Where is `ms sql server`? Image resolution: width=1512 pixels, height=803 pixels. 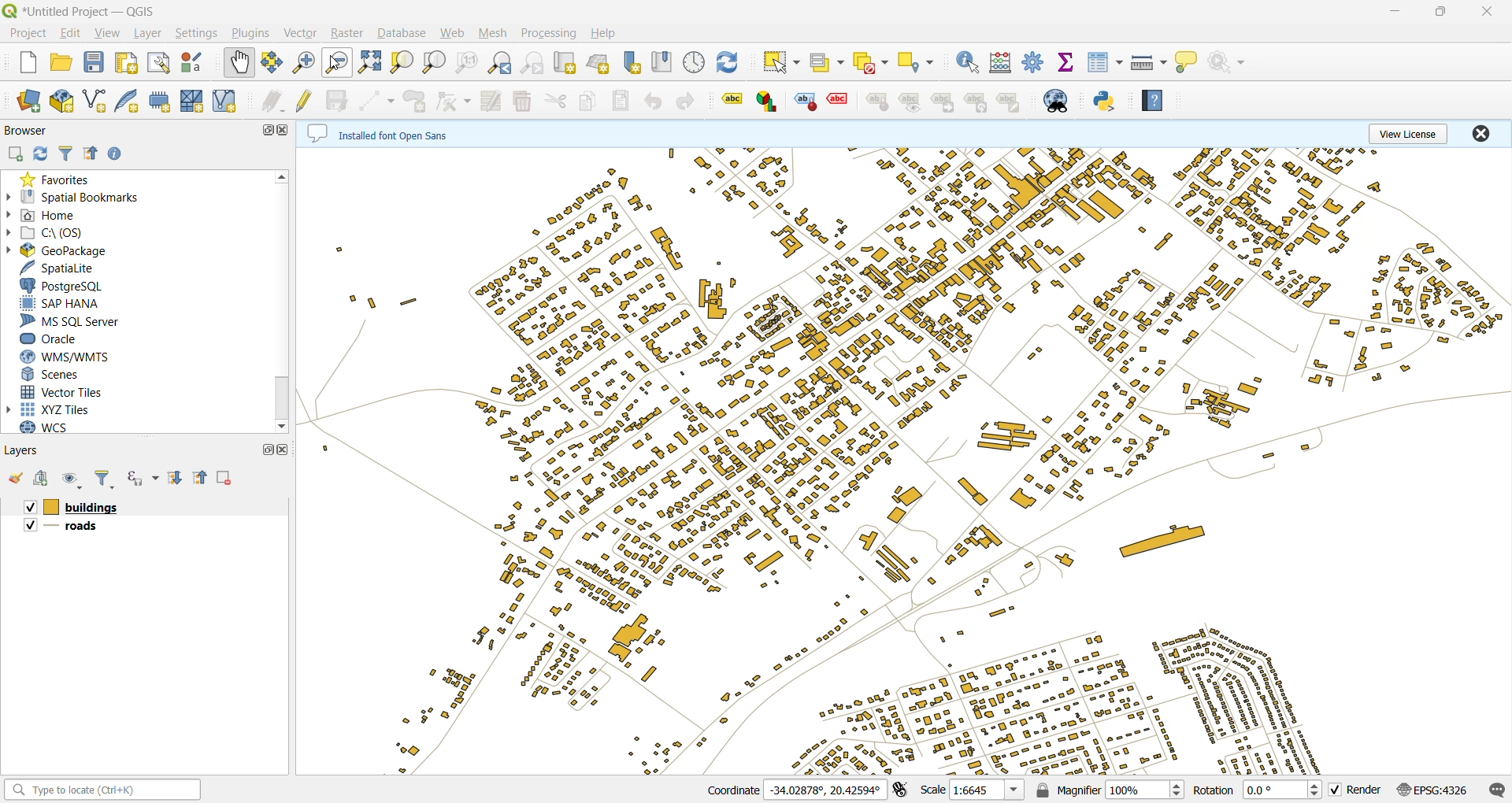
ms sql server is located at coordinates (80, 320).